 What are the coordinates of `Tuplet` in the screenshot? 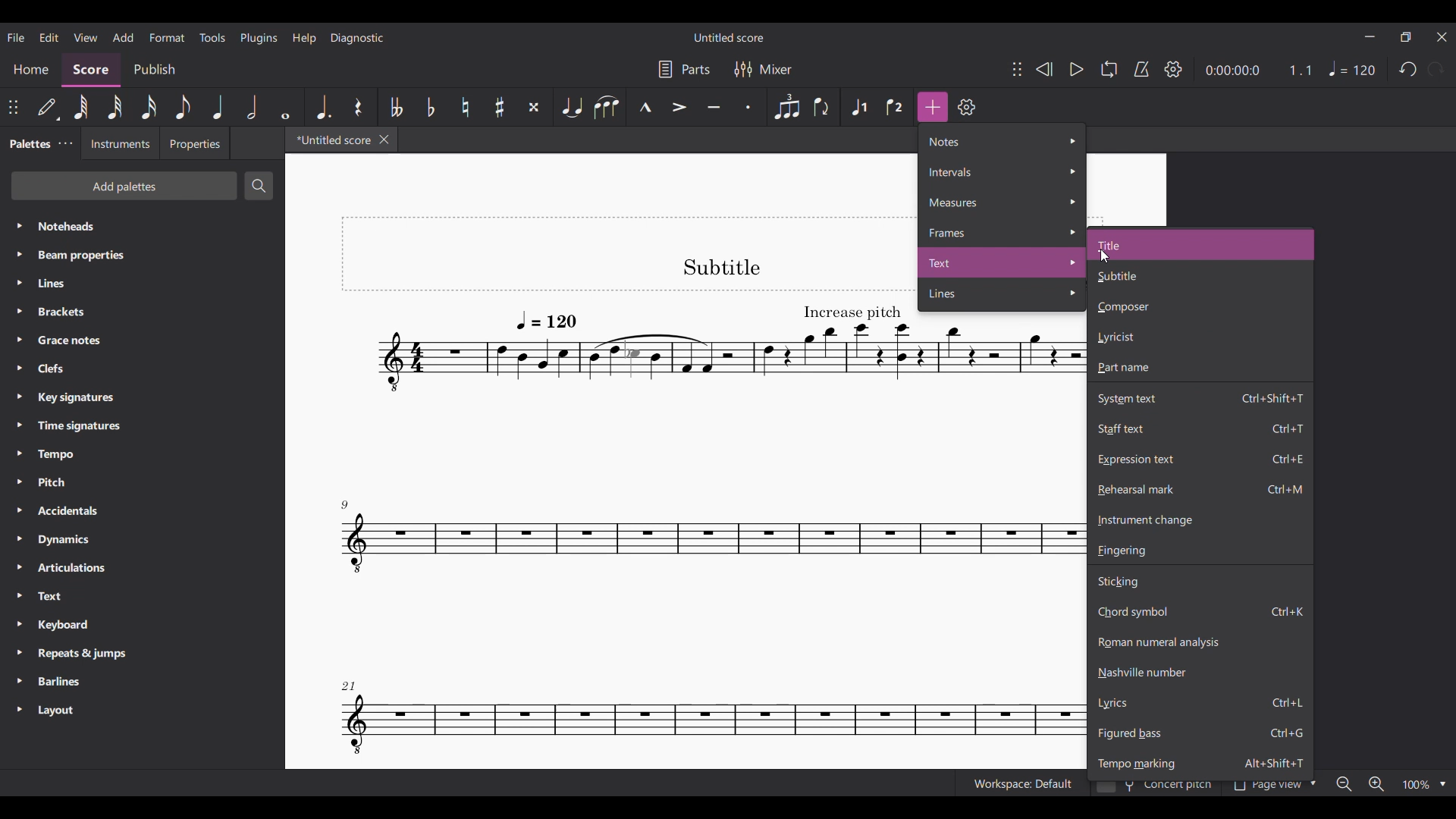 It's located at (786, 107).